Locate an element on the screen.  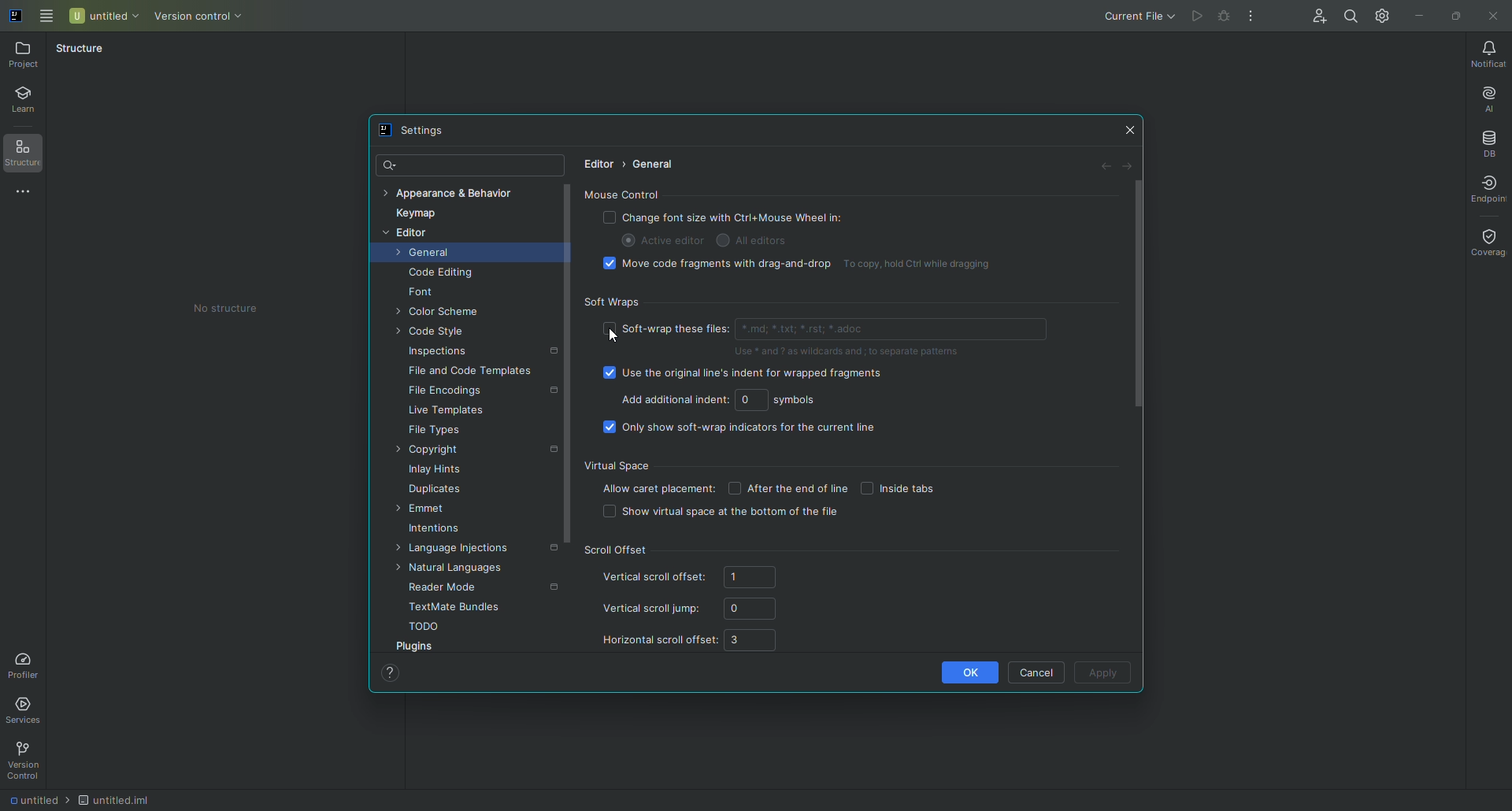
Current File is located at coordinates (1134, 17).